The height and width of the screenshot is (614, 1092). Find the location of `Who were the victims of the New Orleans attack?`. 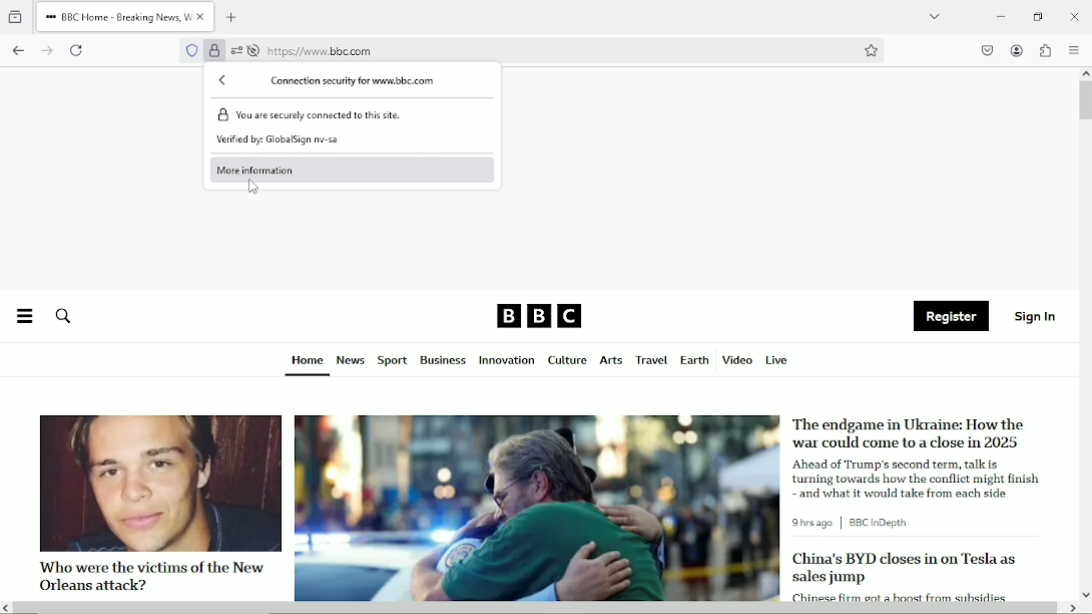

Who were the victims of the New Orleans attack? is located at coordinates (149, 575).